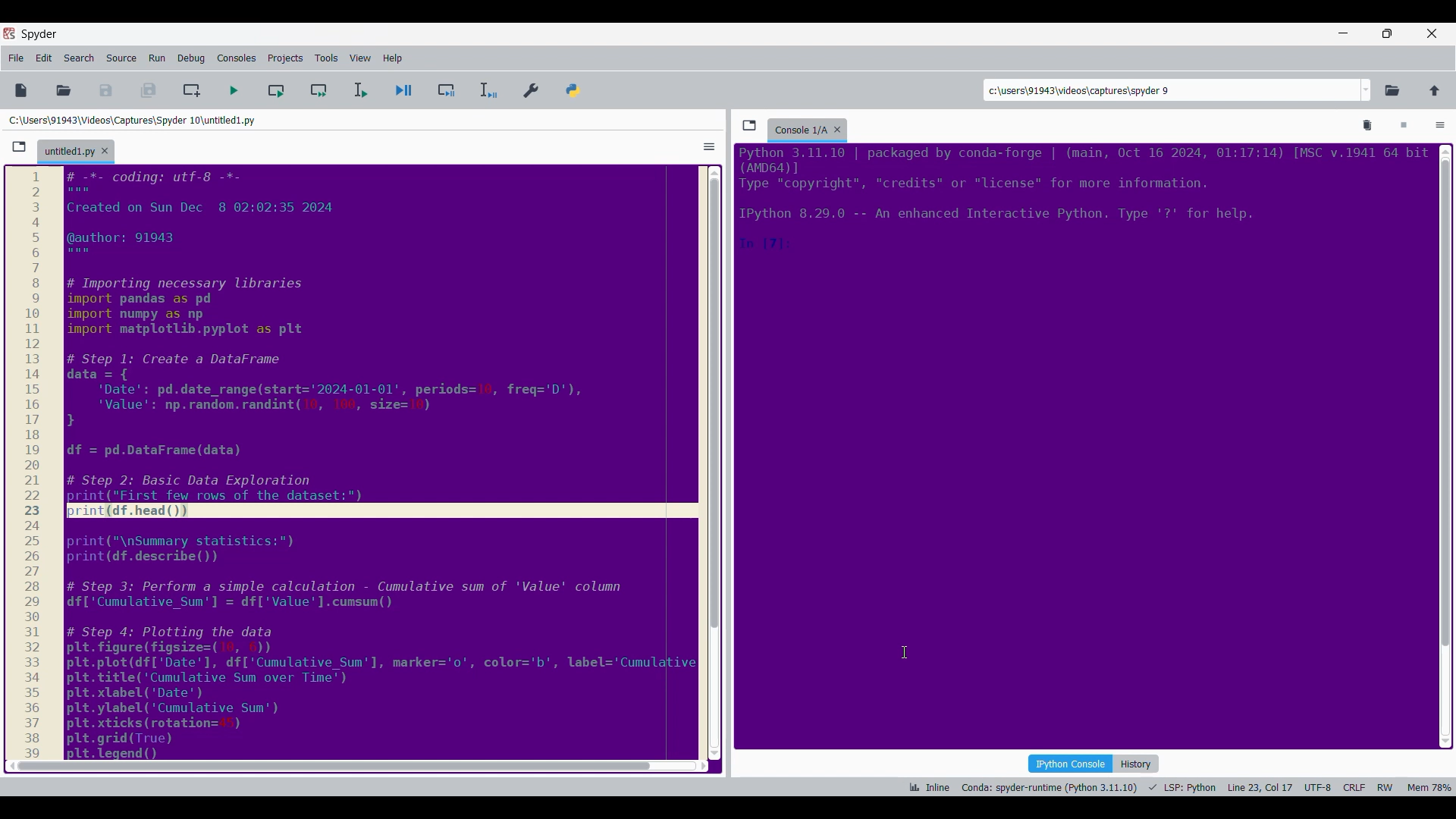  I want to click on untitled  tab, so click(67, 150).